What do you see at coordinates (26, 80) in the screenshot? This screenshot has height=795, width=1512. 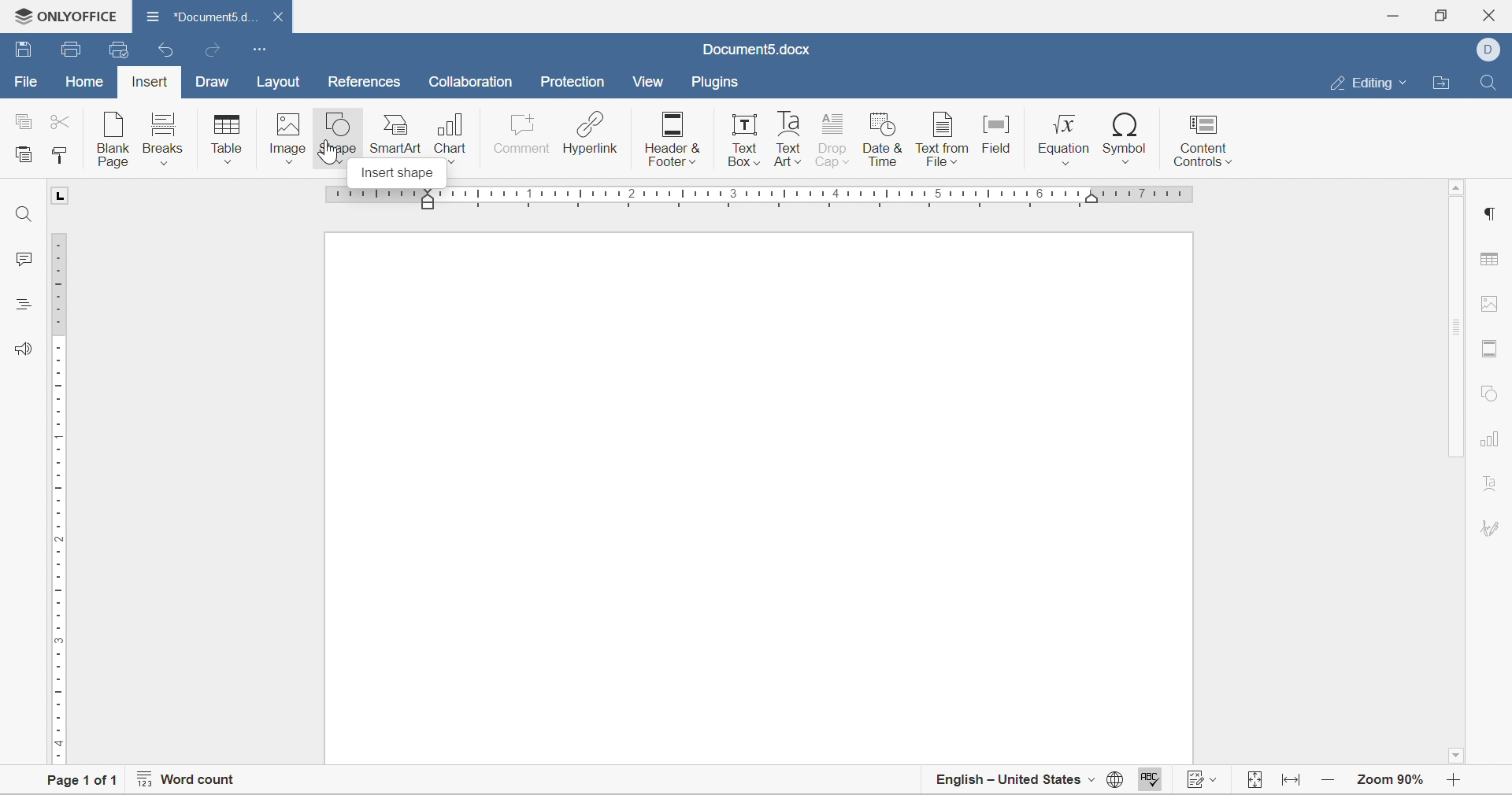 I see `file` at bounding box center [26, 80].